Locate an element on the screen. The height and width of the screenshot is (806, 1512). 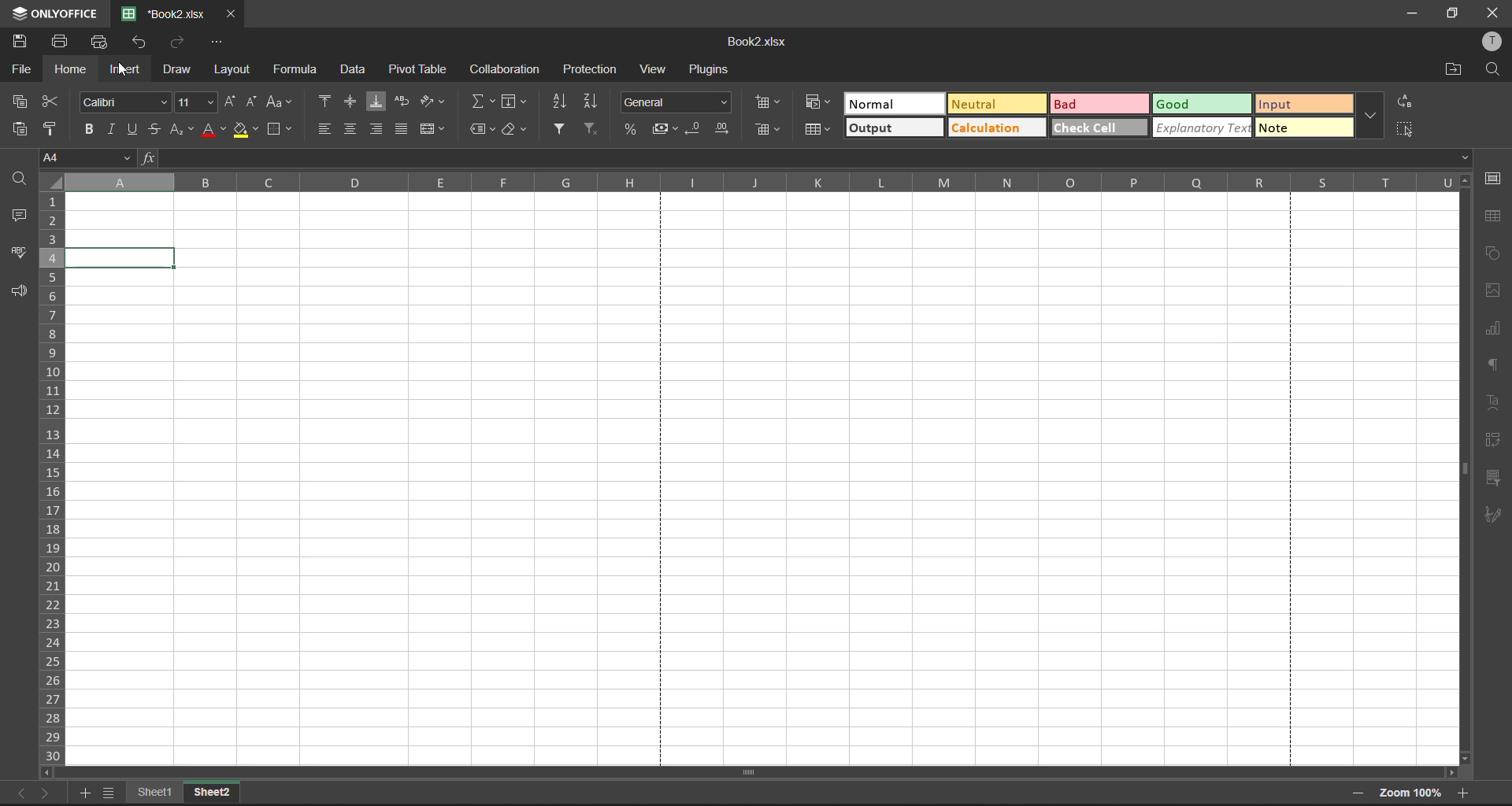
sub/superscript is located at coordinates (182, 130).